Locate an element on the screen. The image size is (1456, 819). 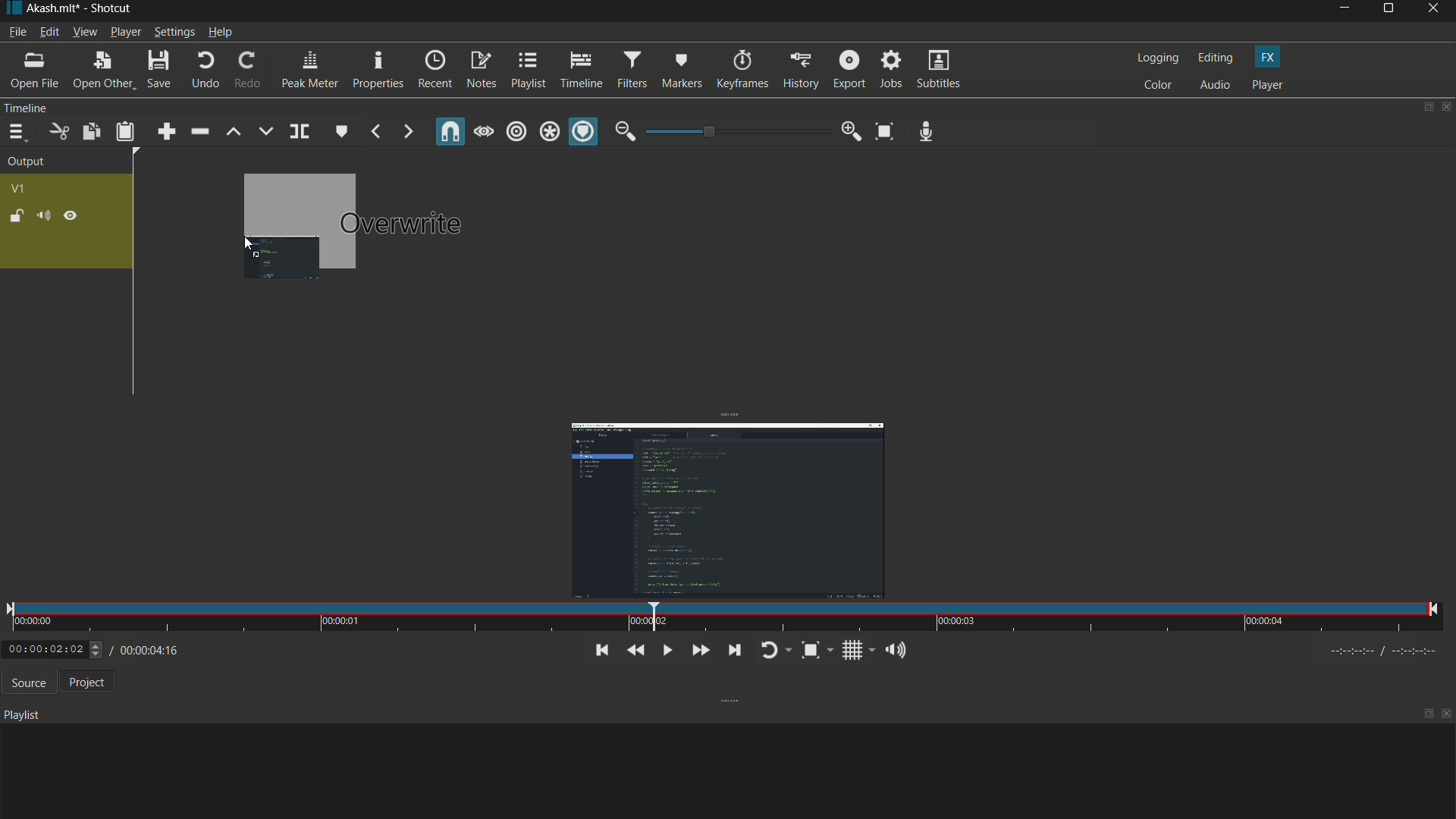
adjustment bar is located at coordinates (736, 132).